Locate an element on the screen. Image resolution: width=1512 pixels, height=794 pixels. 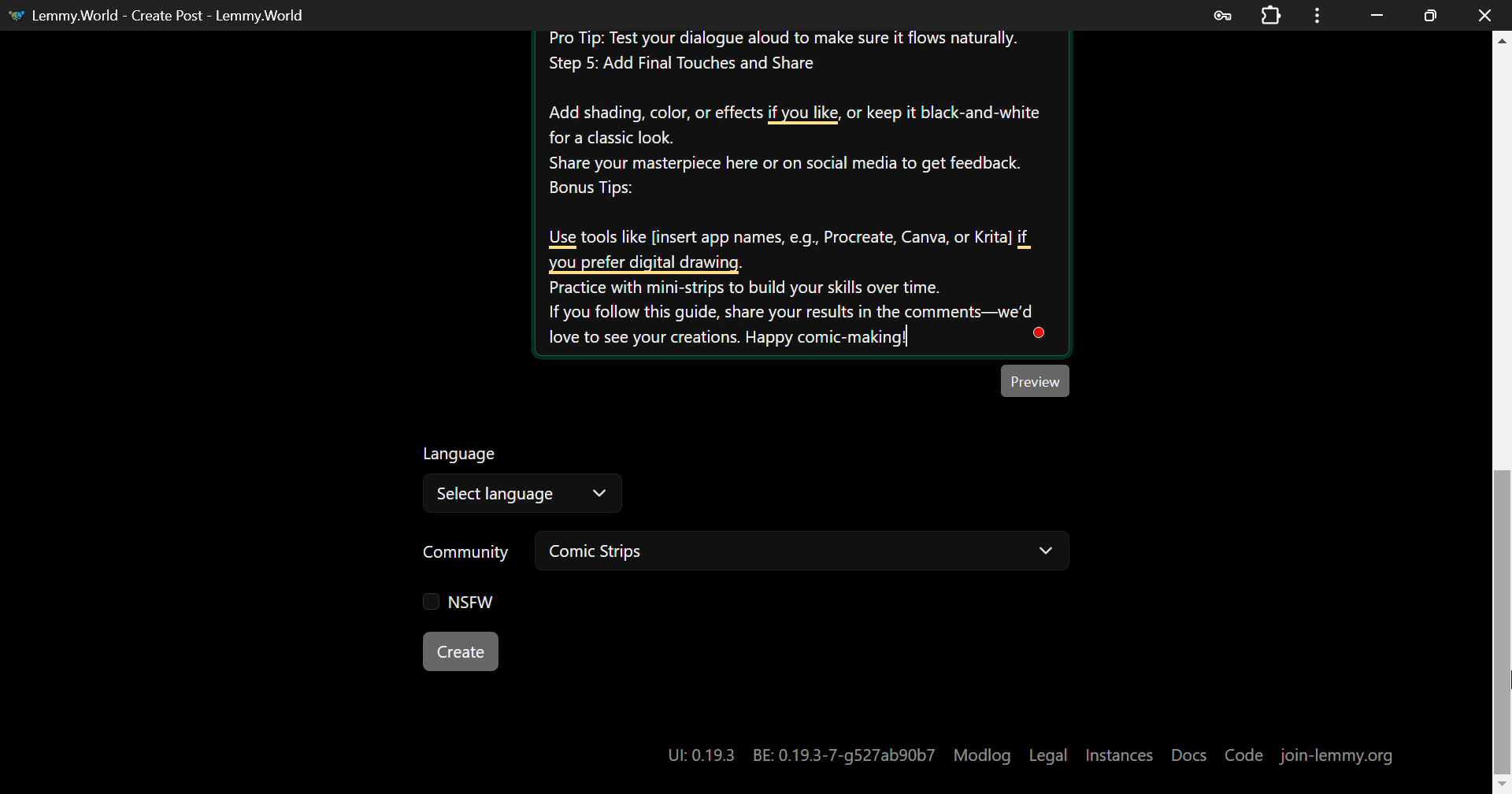
Minimize is located at coordinates (1433, 15).